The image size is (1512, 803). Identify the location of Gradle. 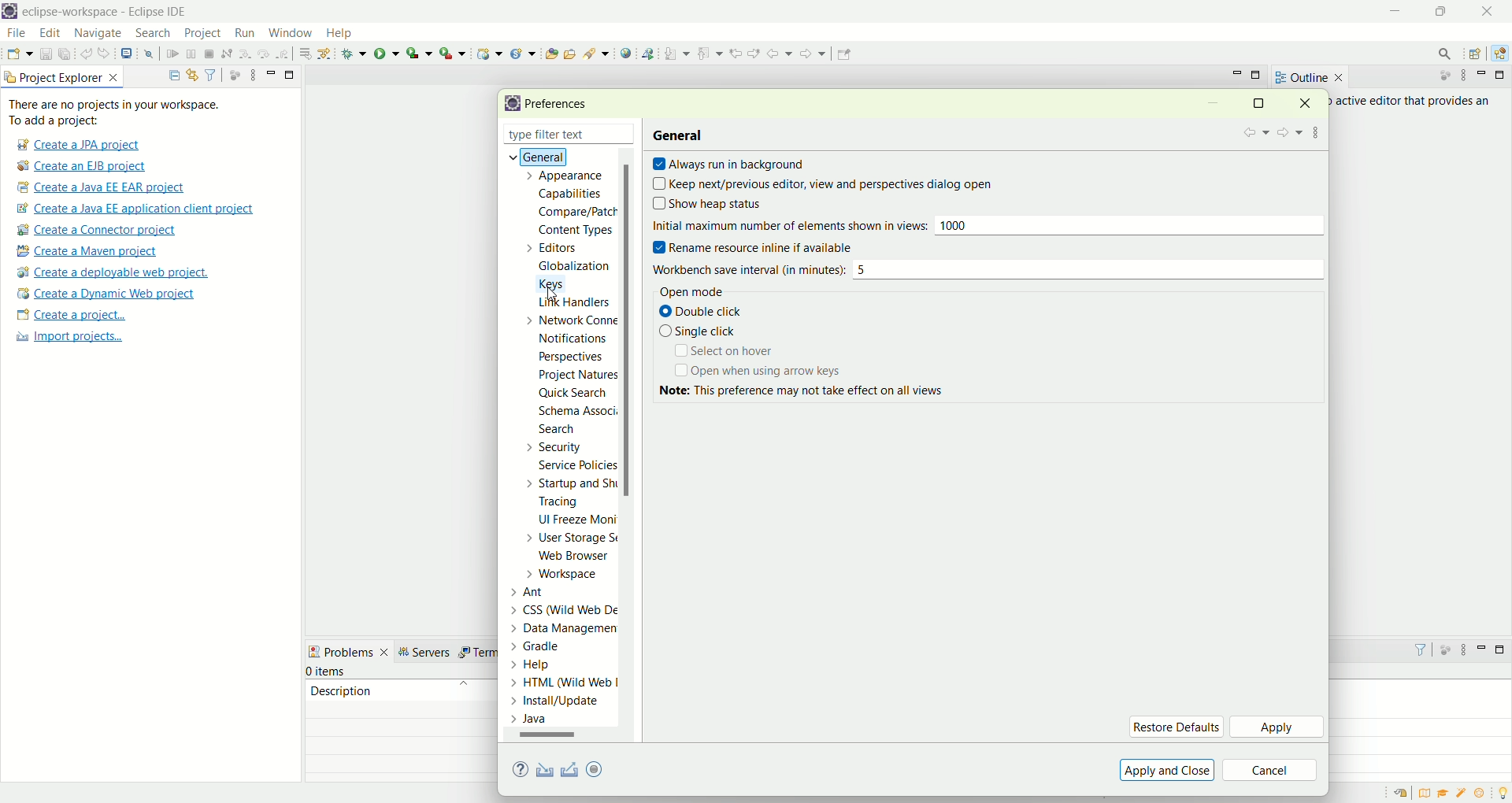
(550, 645).